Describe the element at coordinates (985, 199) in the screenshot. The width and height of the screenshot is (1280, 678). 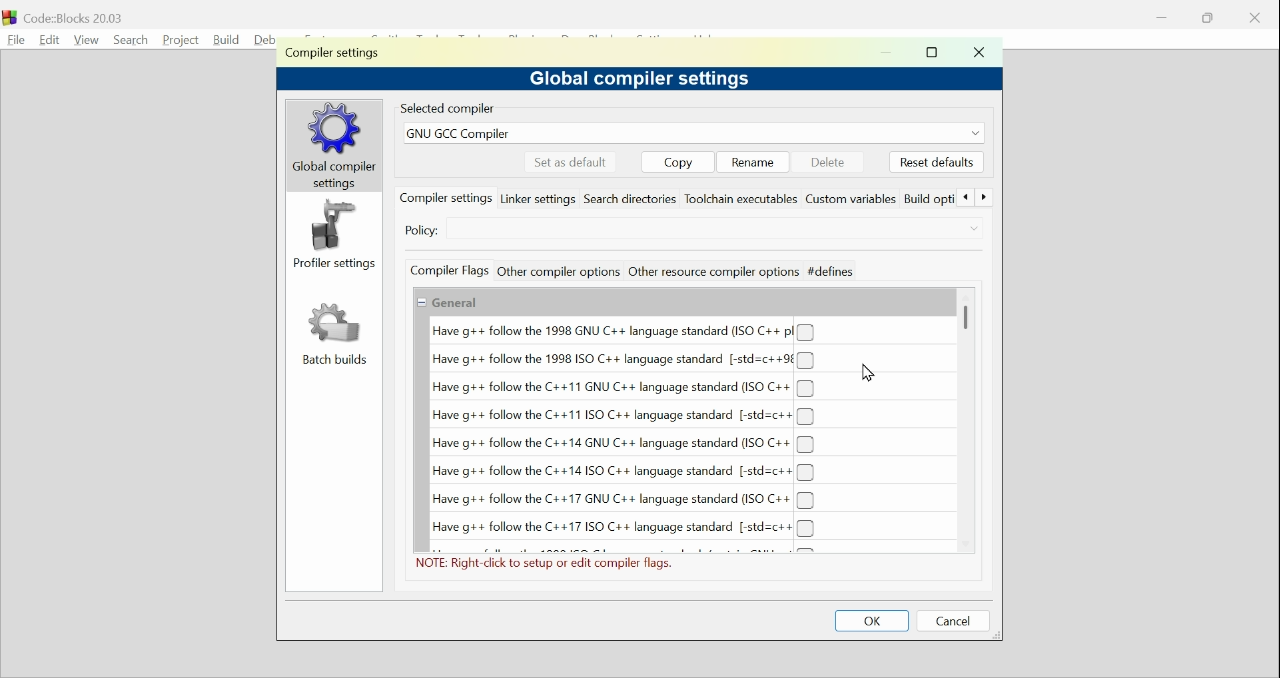
I see `Forward` at that location.